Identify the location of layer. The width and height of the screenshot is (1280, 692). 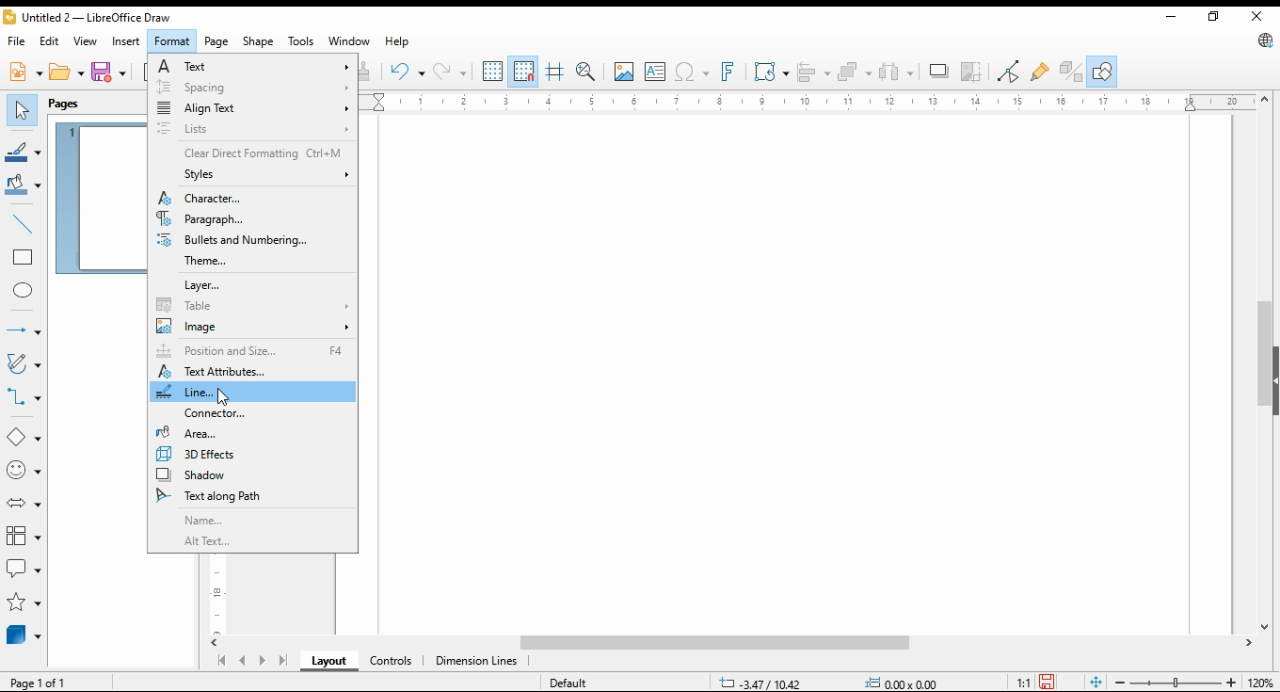
(251, 283).